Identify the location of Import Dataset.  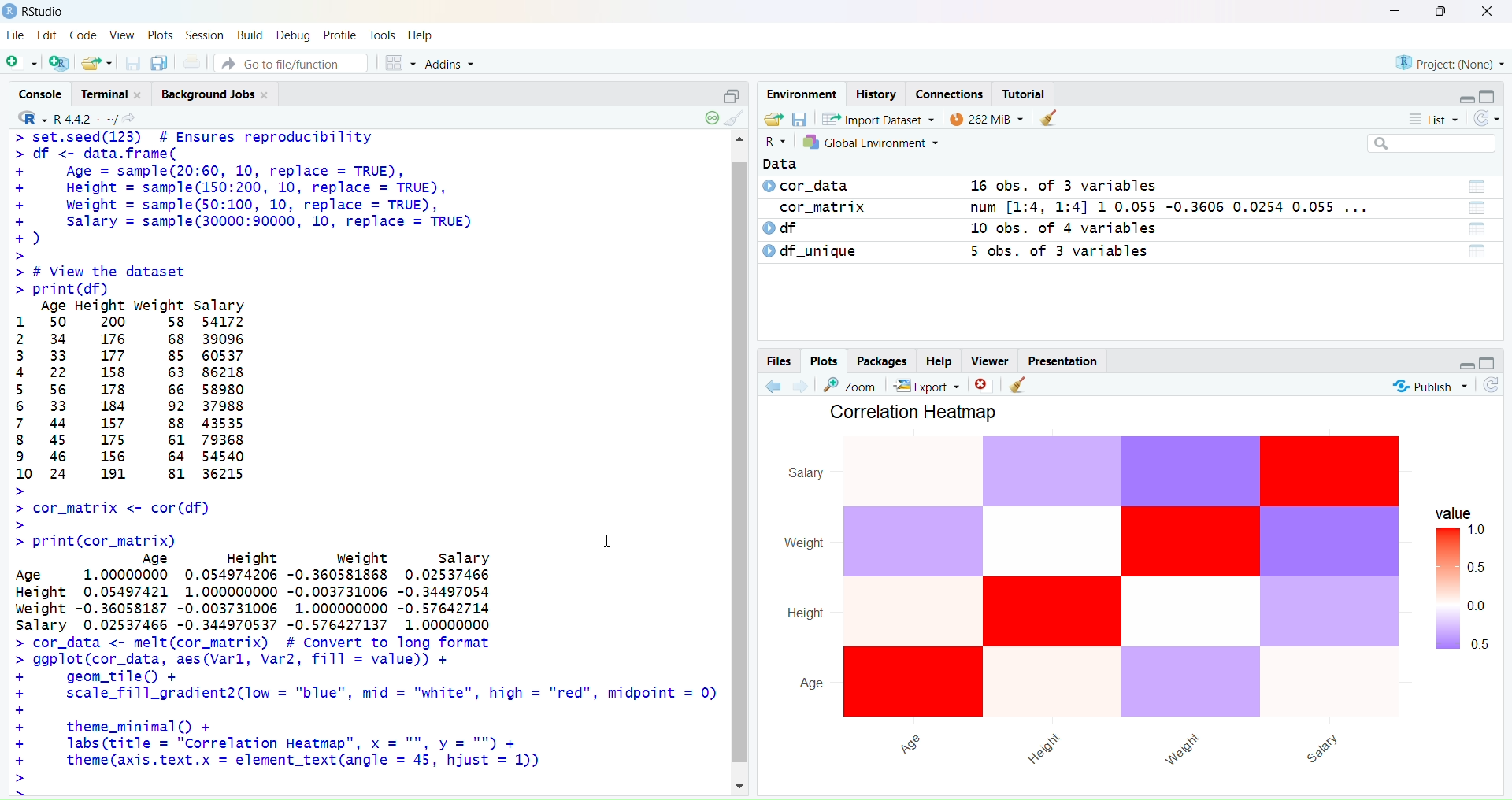
(878, 118).